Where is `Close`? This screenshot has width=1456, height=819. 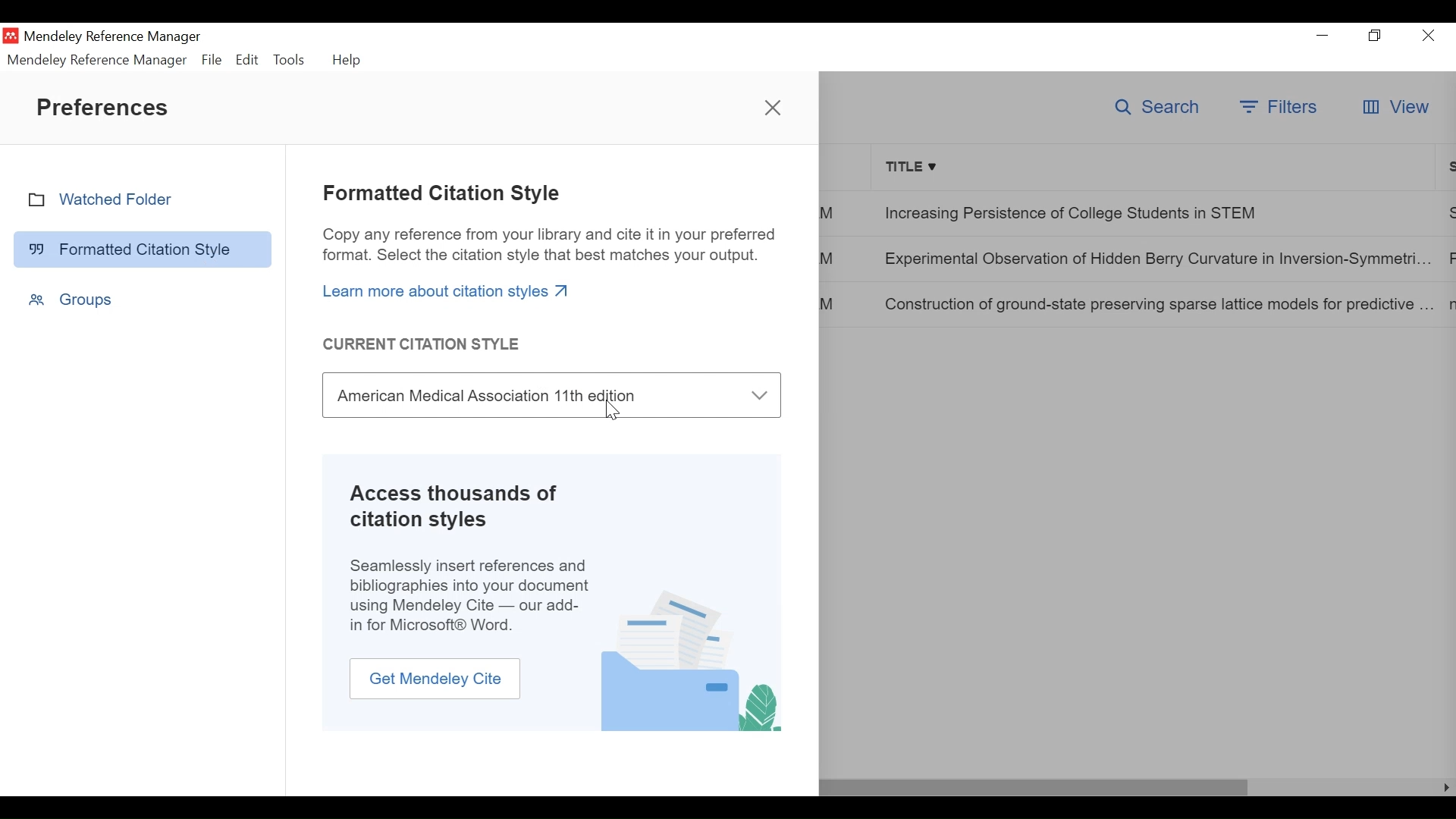
Close is located at coordinates (1428, 36).